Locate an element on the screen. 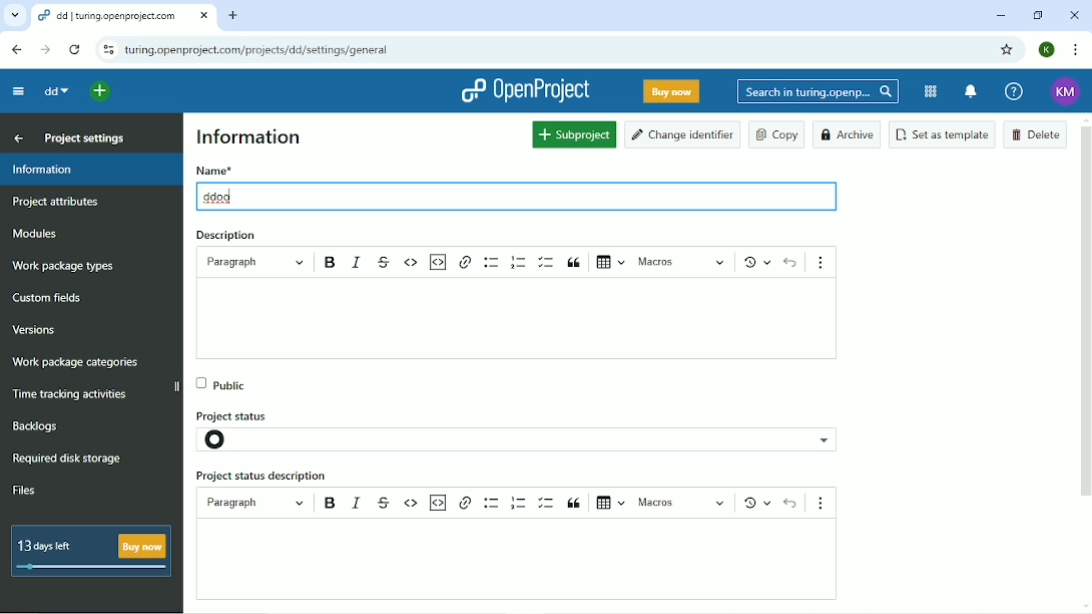 This screenshot has width=1092, height=614. Bold is located at coordinates (331, 264).